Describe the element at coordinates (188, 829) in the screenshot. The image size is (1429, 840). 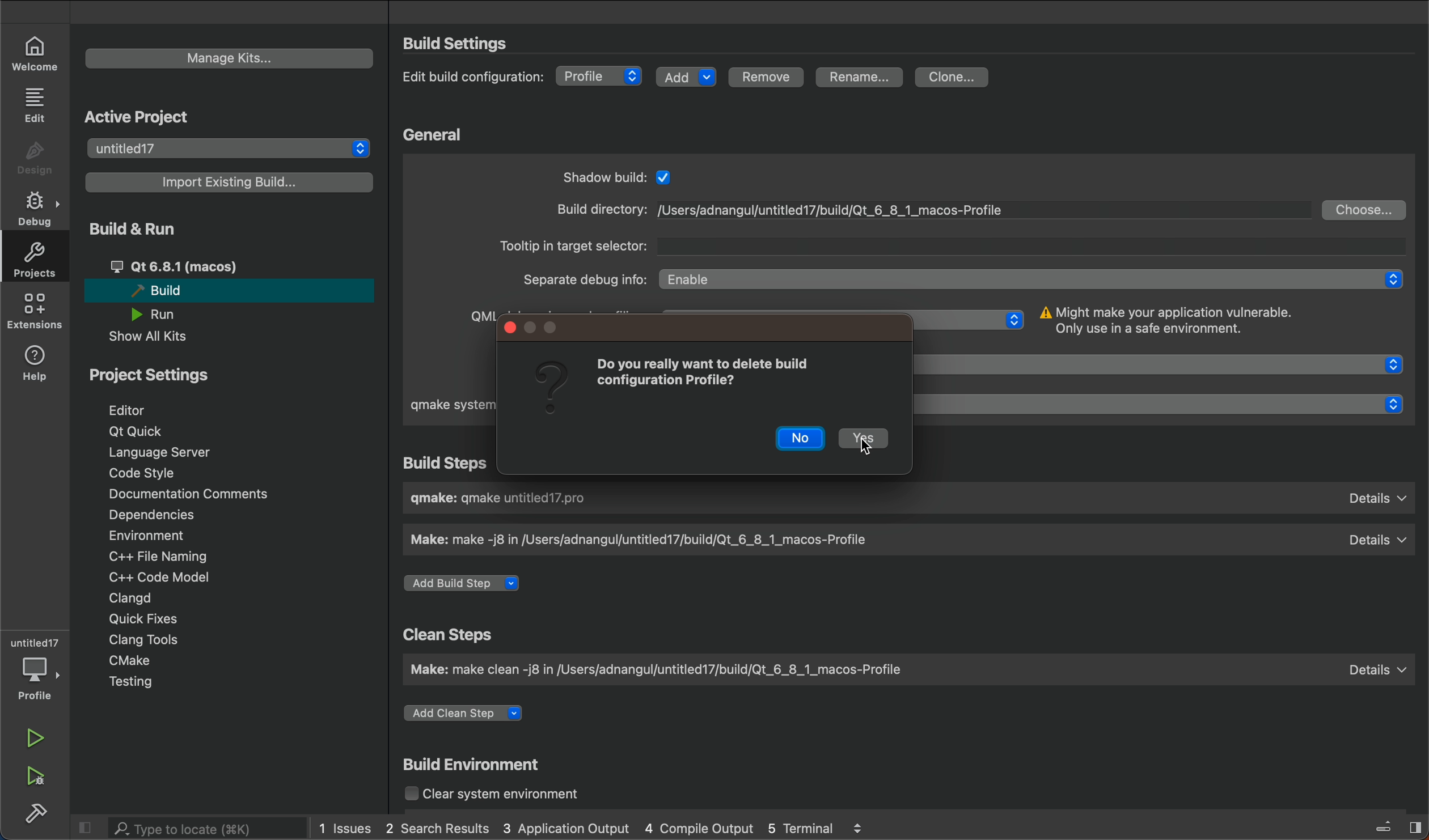
I see `search` at that location.